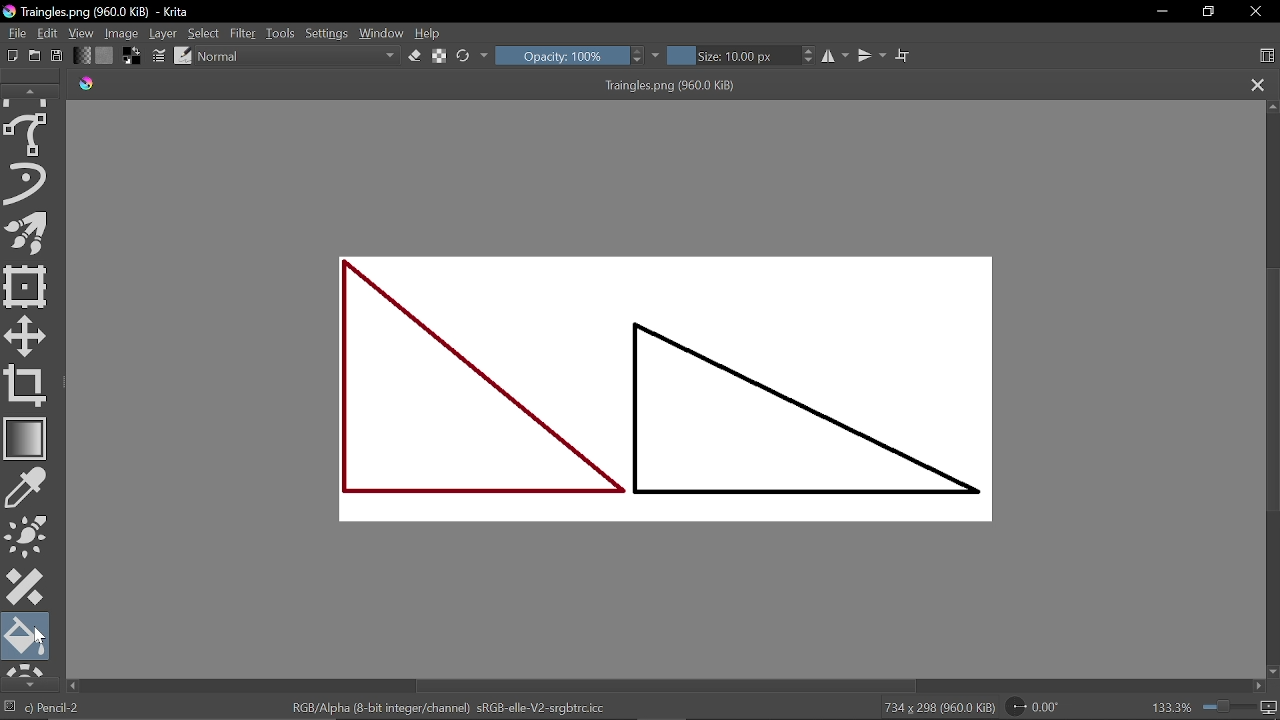  Describe the element at coordinates (245, 34) in the screenshot. I see `Filter` at that location.